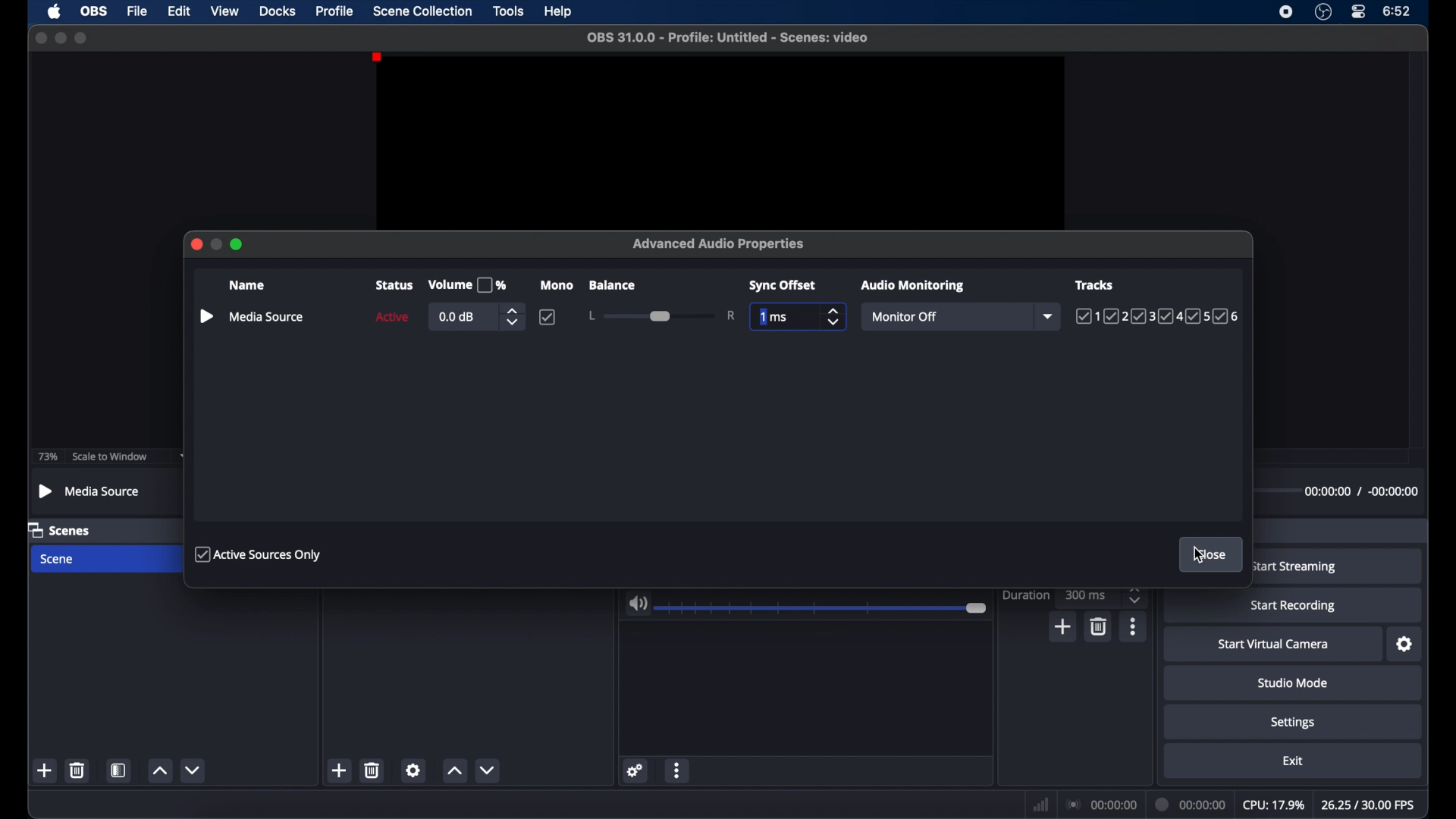 This screenshot has width=1456, height=819. I want to click on scene filters, so click(120, 770).